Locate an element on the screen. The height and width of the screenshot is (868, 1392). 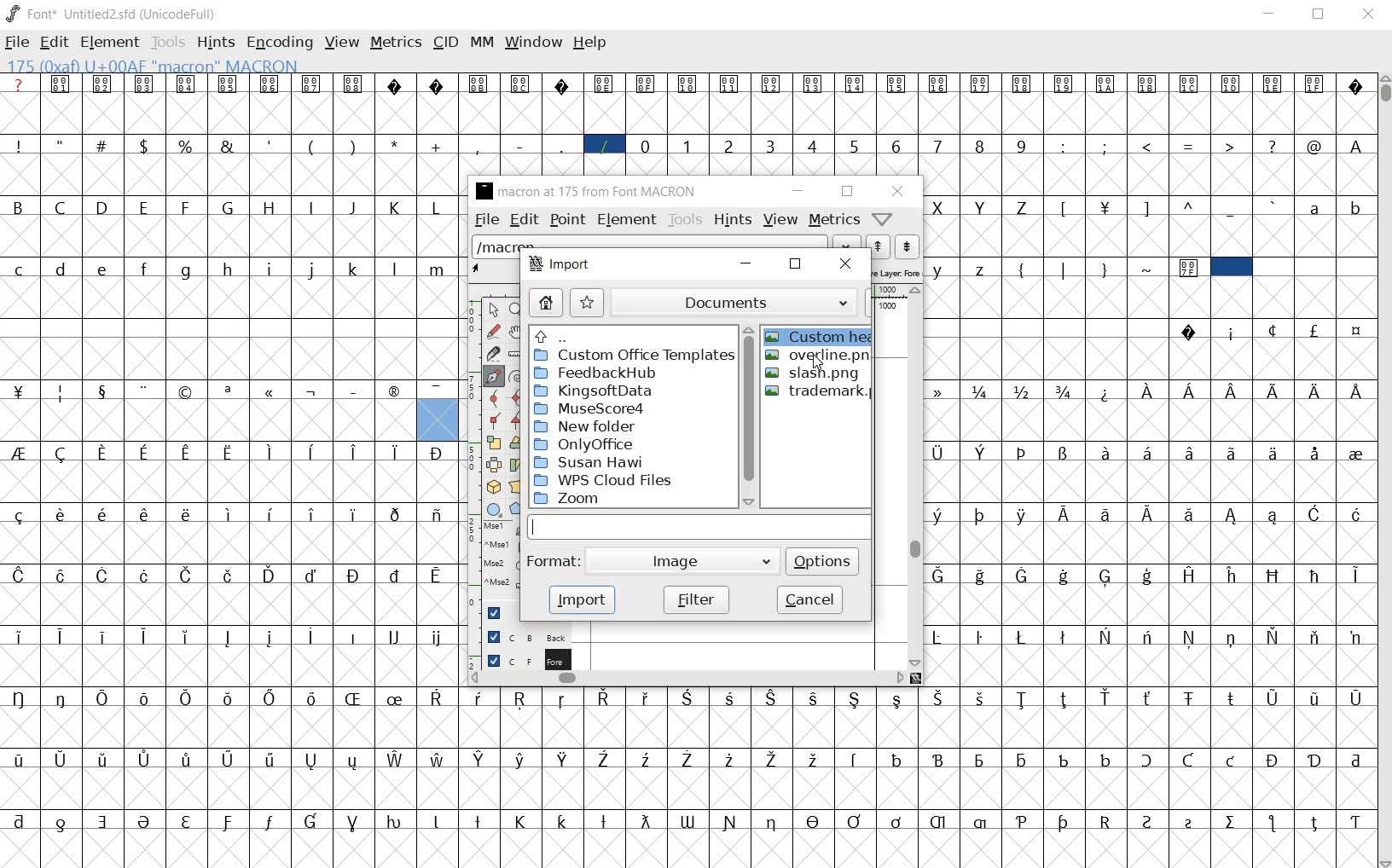
image is located at coordinates (664, 560).